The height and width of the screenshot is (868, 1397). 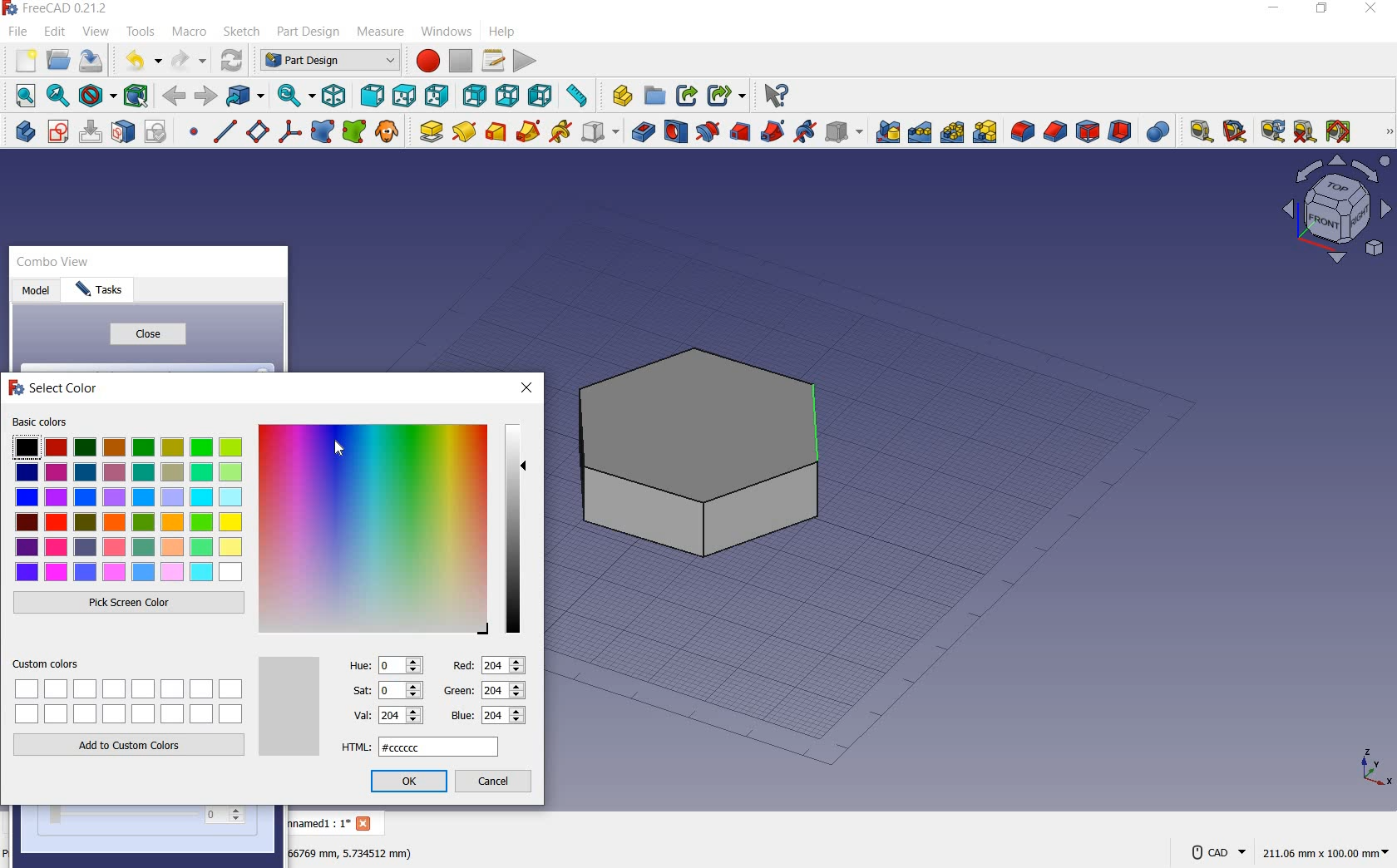 I want to click on 66759 mm,5.734512 mm(DIMENSION), so click(x=351, y=852).